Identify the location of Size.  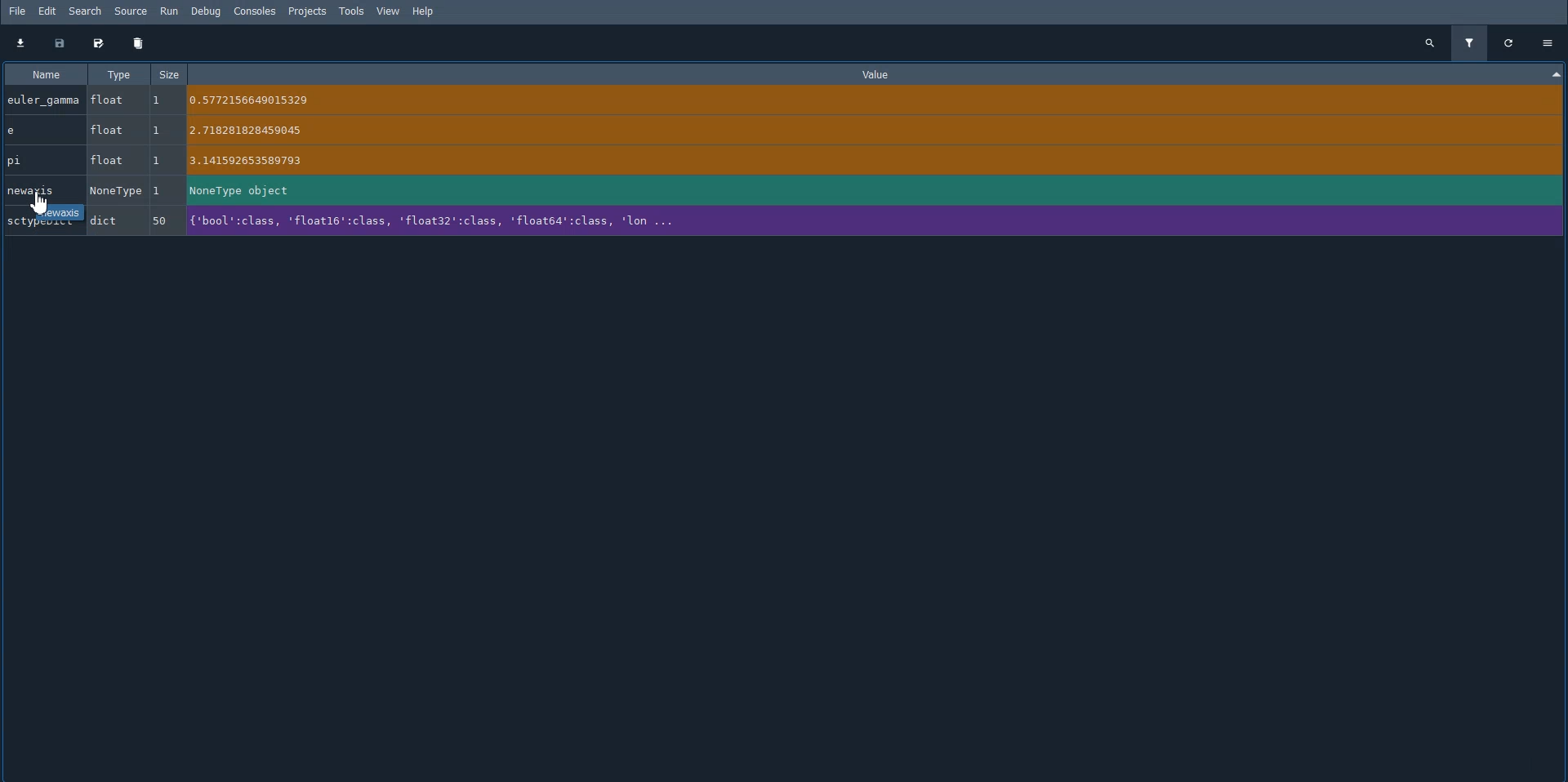
(172, 74).